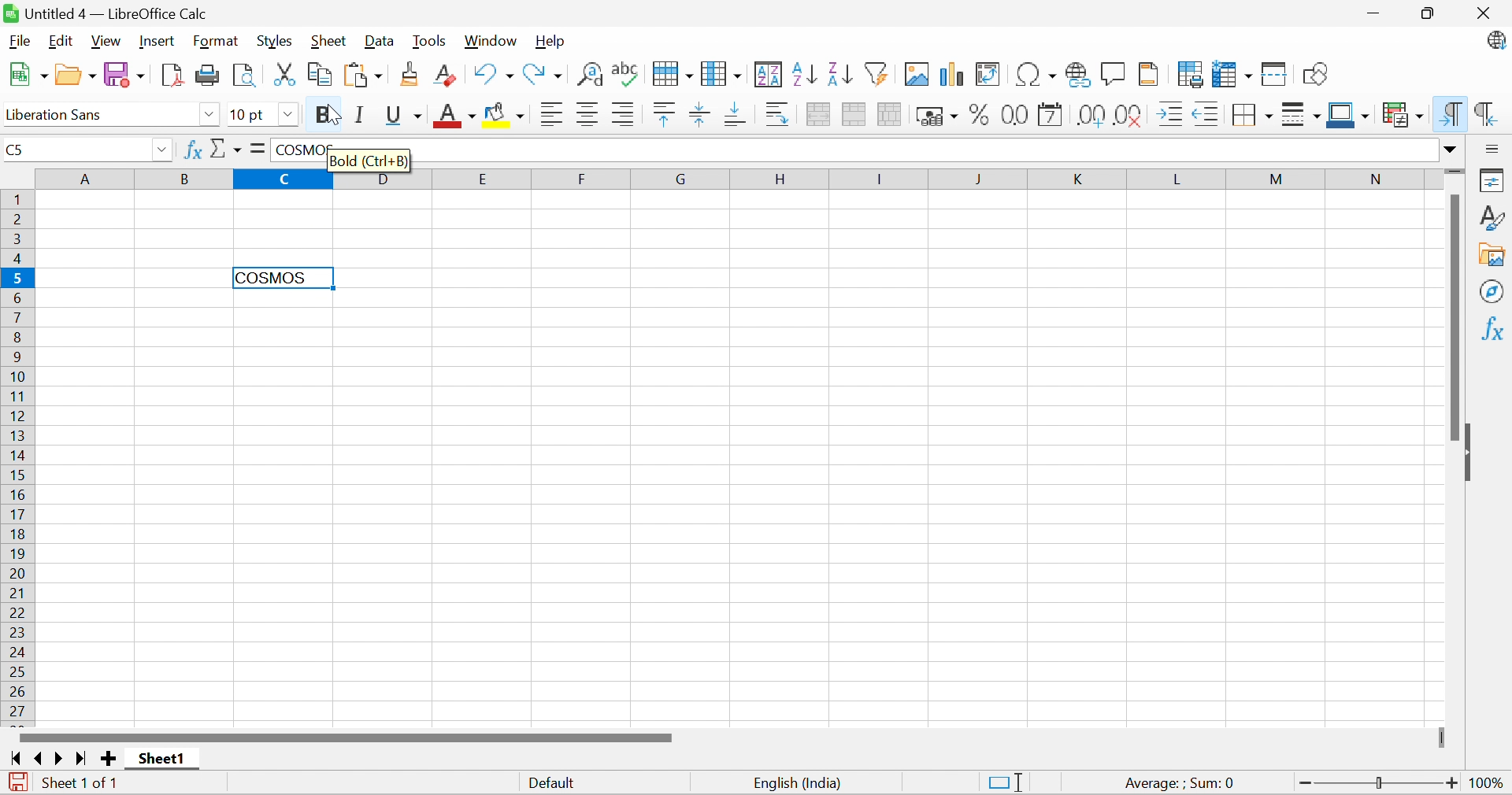  What do you see at coordinates (1453, 173) in the screenshot?
I see `Slider` at bounding box center [1453, 173].